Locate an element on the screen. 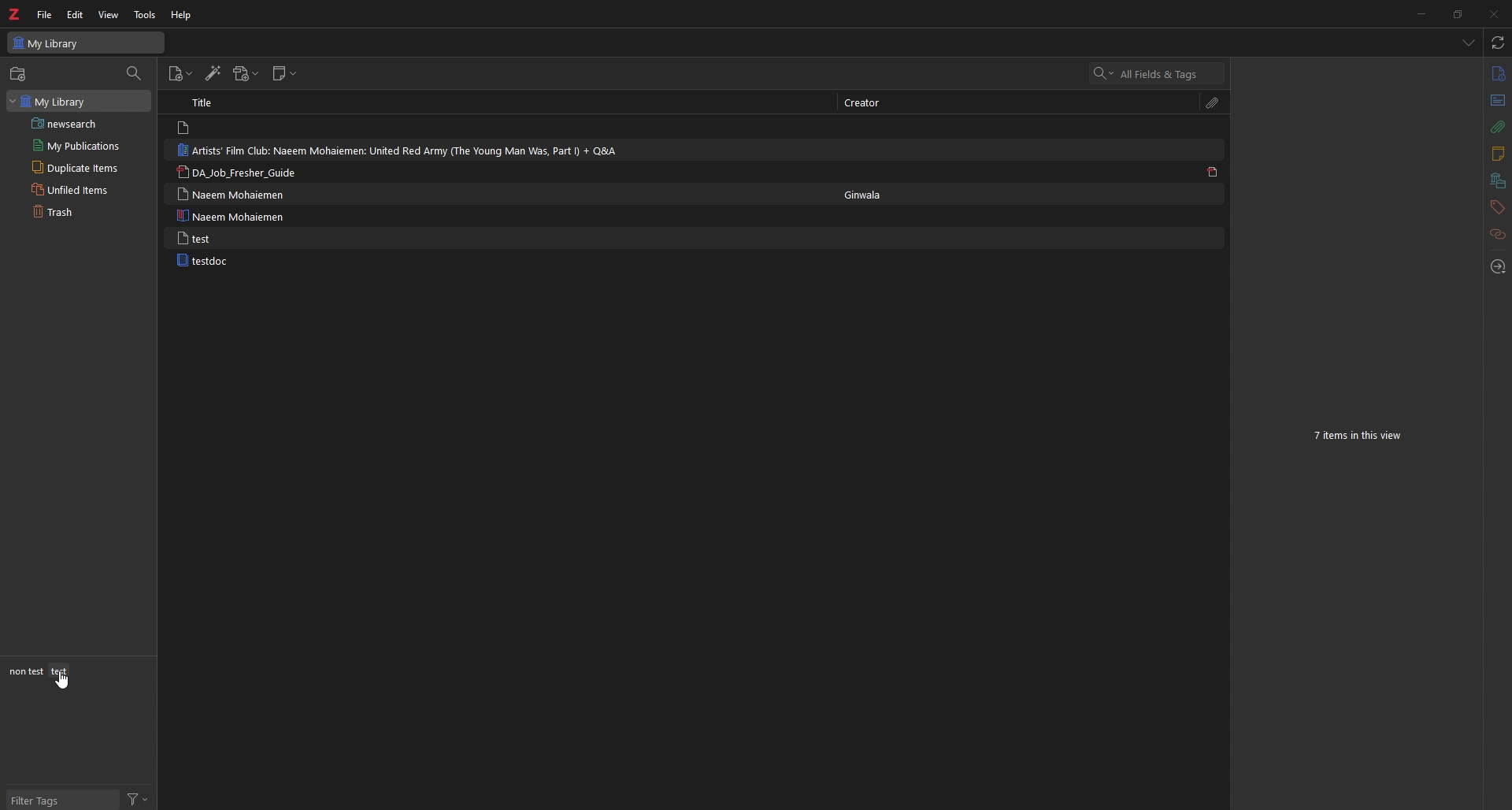 The image size is (1512, 810). creator is located at coordinates (873, 102).